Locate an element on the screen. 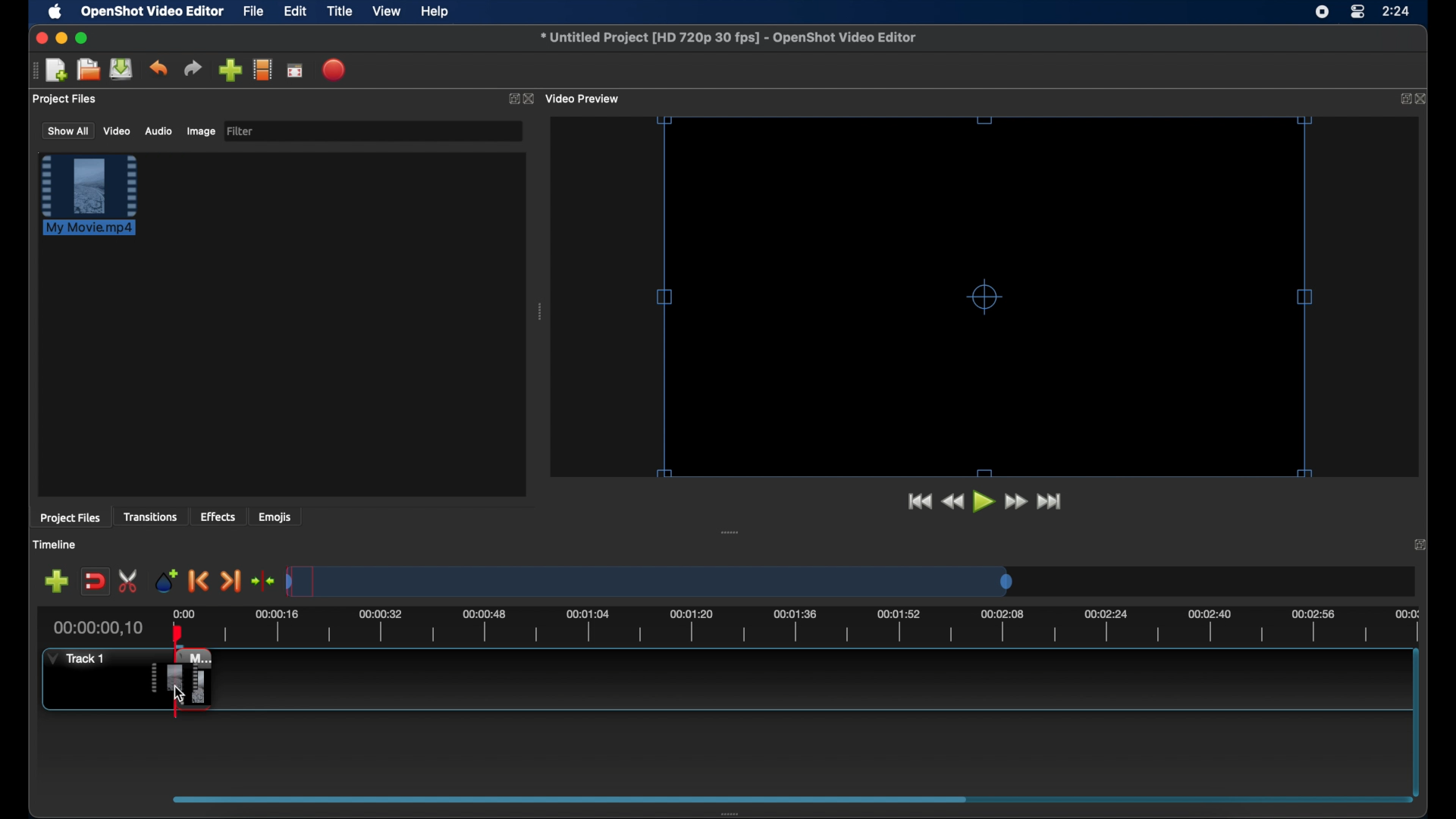 The width and height of the screenshot is (1456, 819). fast for is located at coordinates (1015, 502).